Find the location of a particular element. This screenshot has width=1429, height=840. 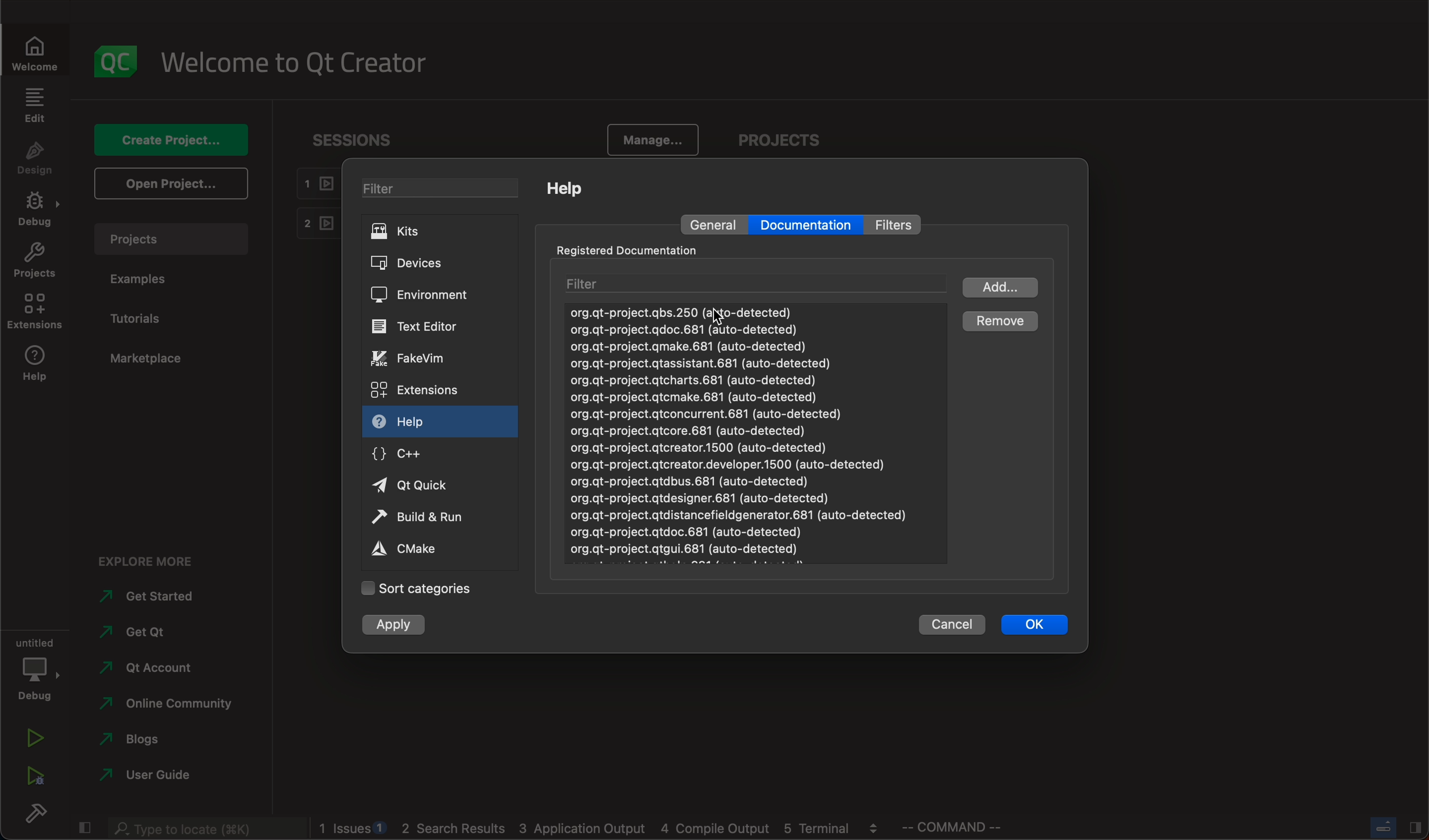

extensions is located at coordinates (40, 311).